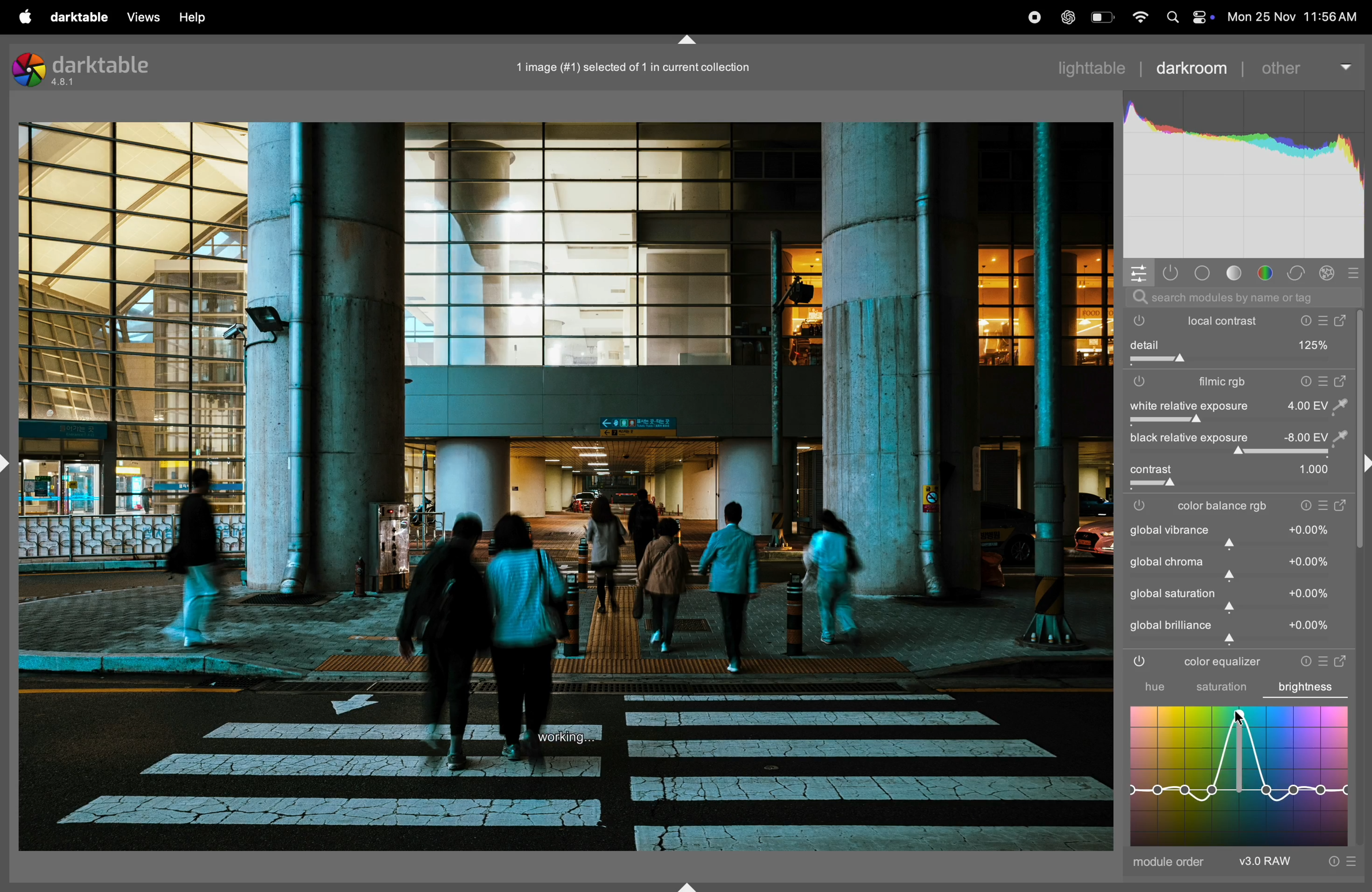  I want to click on open window, so click(1342, 507).